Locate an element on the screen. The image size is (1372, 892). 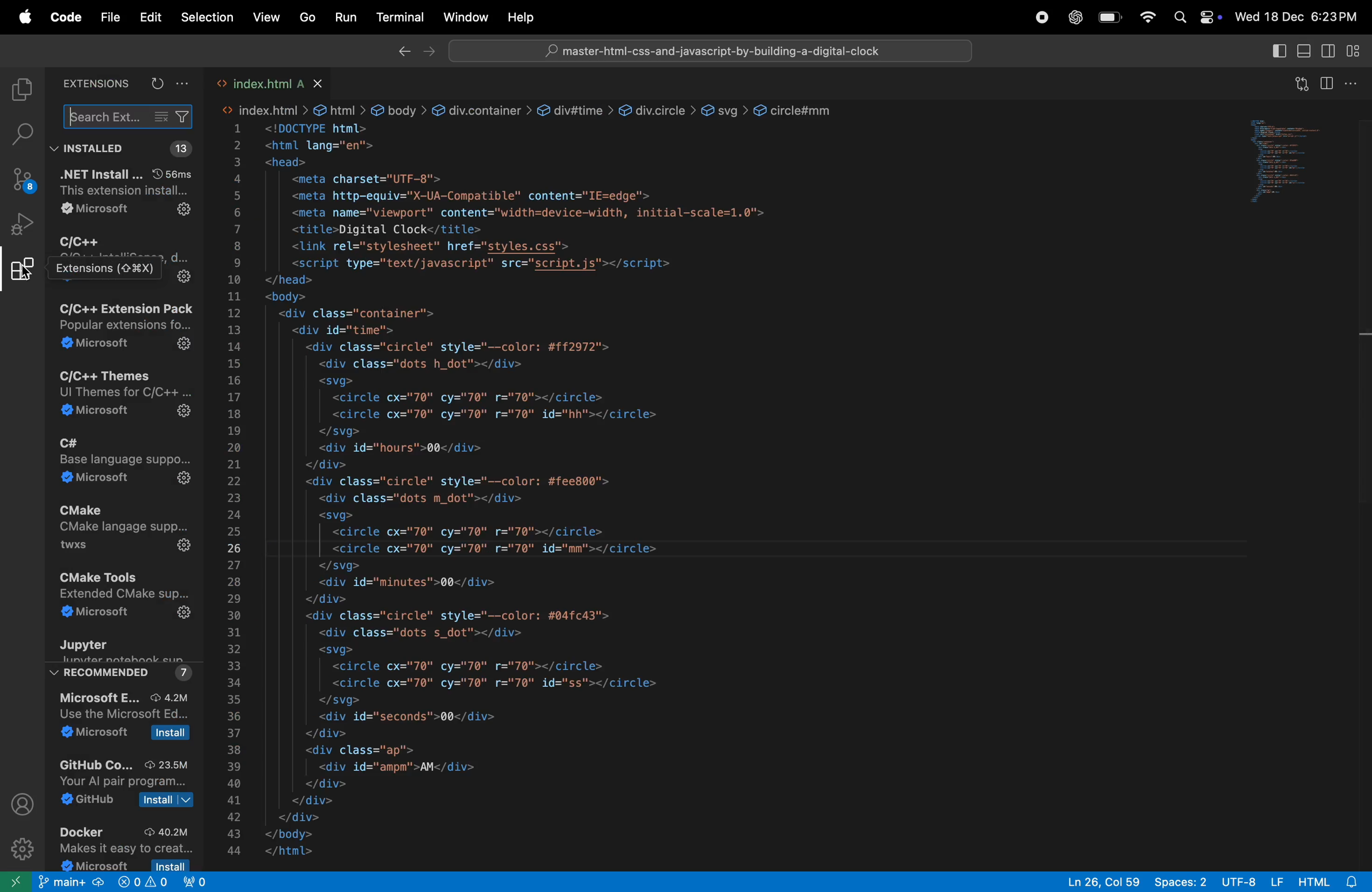
ln col 59 is located at coordinates (1095, 880).